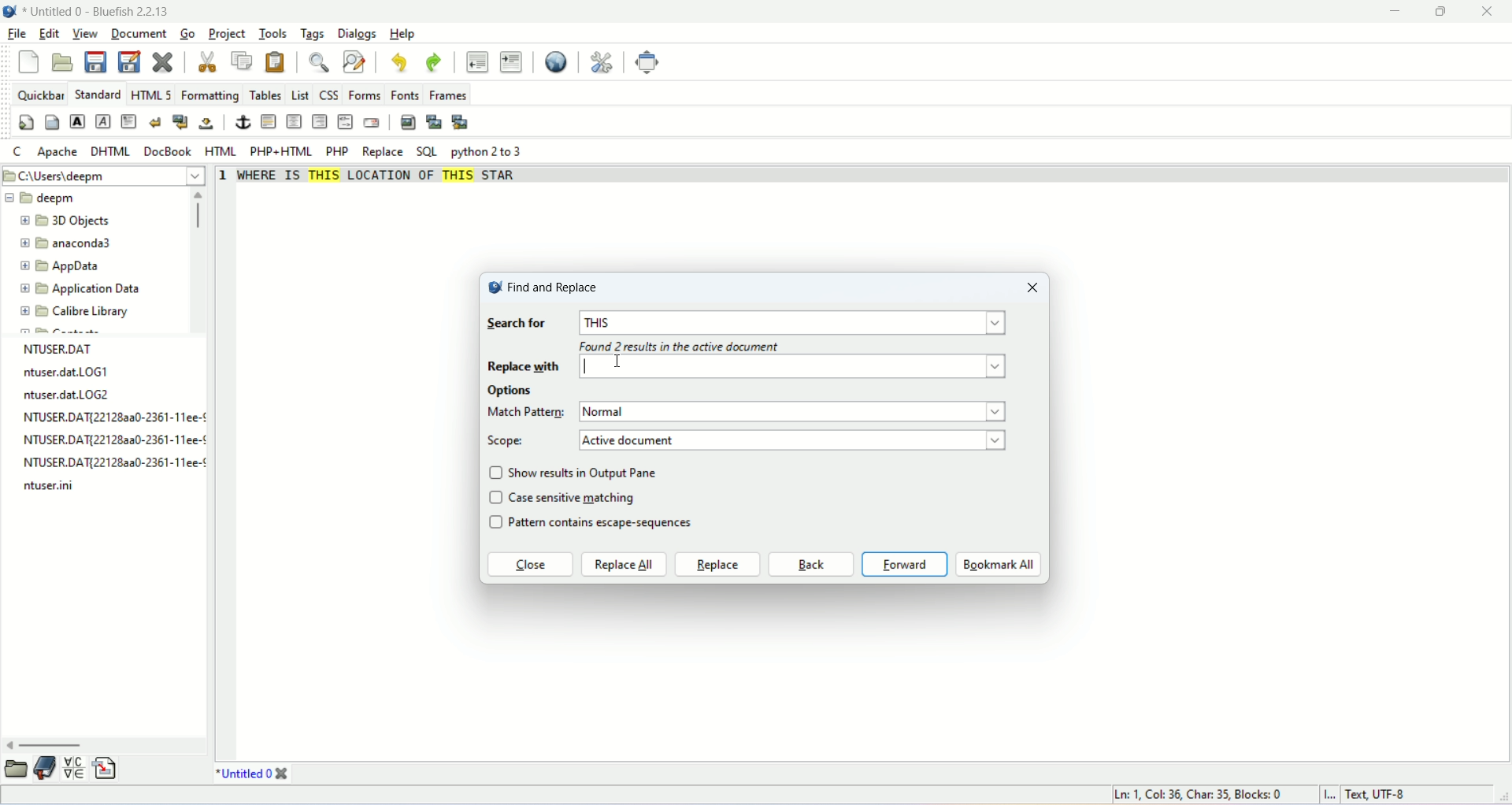  I want to click on anaconda3, so click(67, 244).